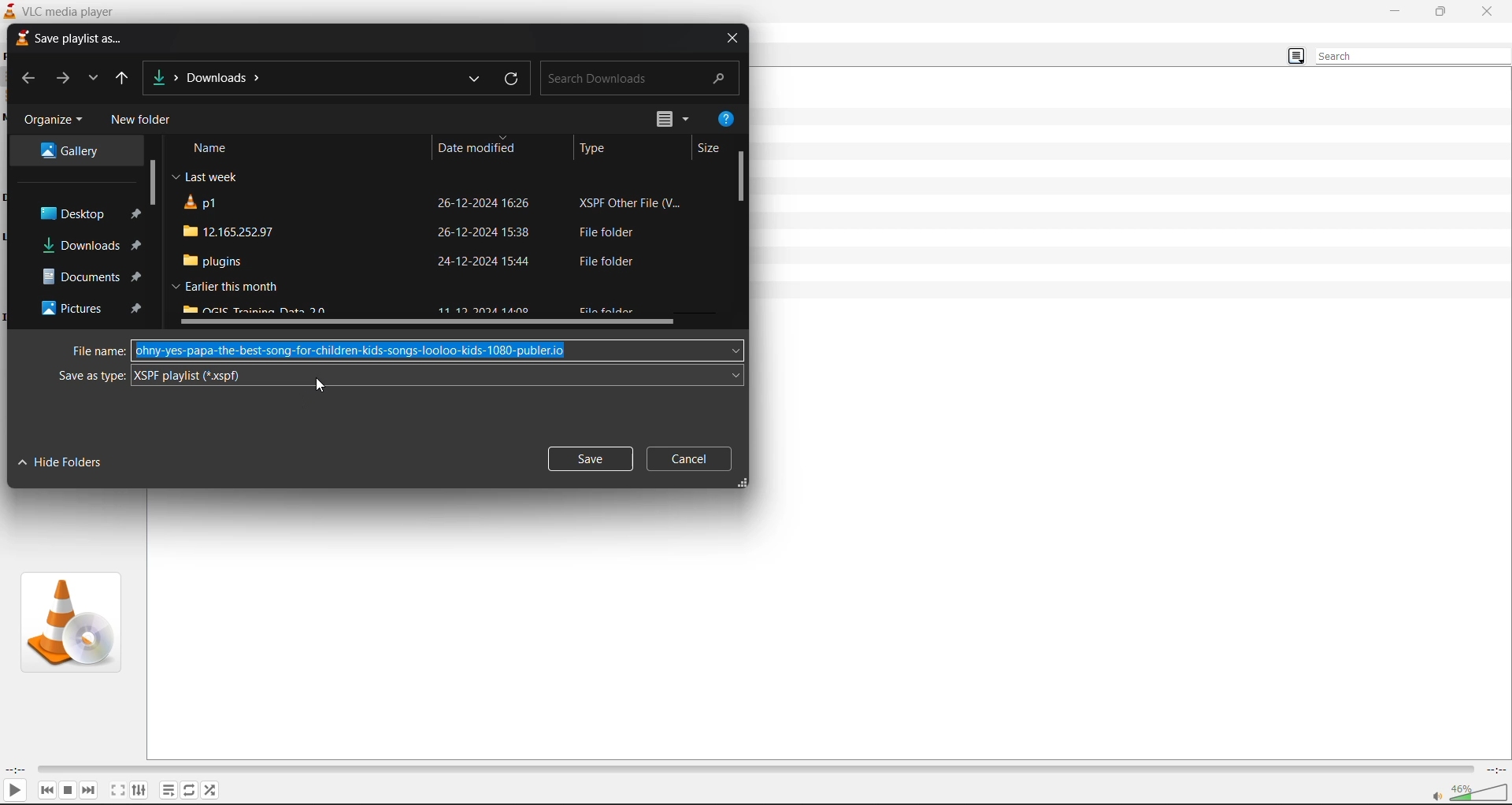 This screenshot has height=805, width=1512. Describe the element at coordinates (46, 789) in the screenshot. I see `previous` at that location.